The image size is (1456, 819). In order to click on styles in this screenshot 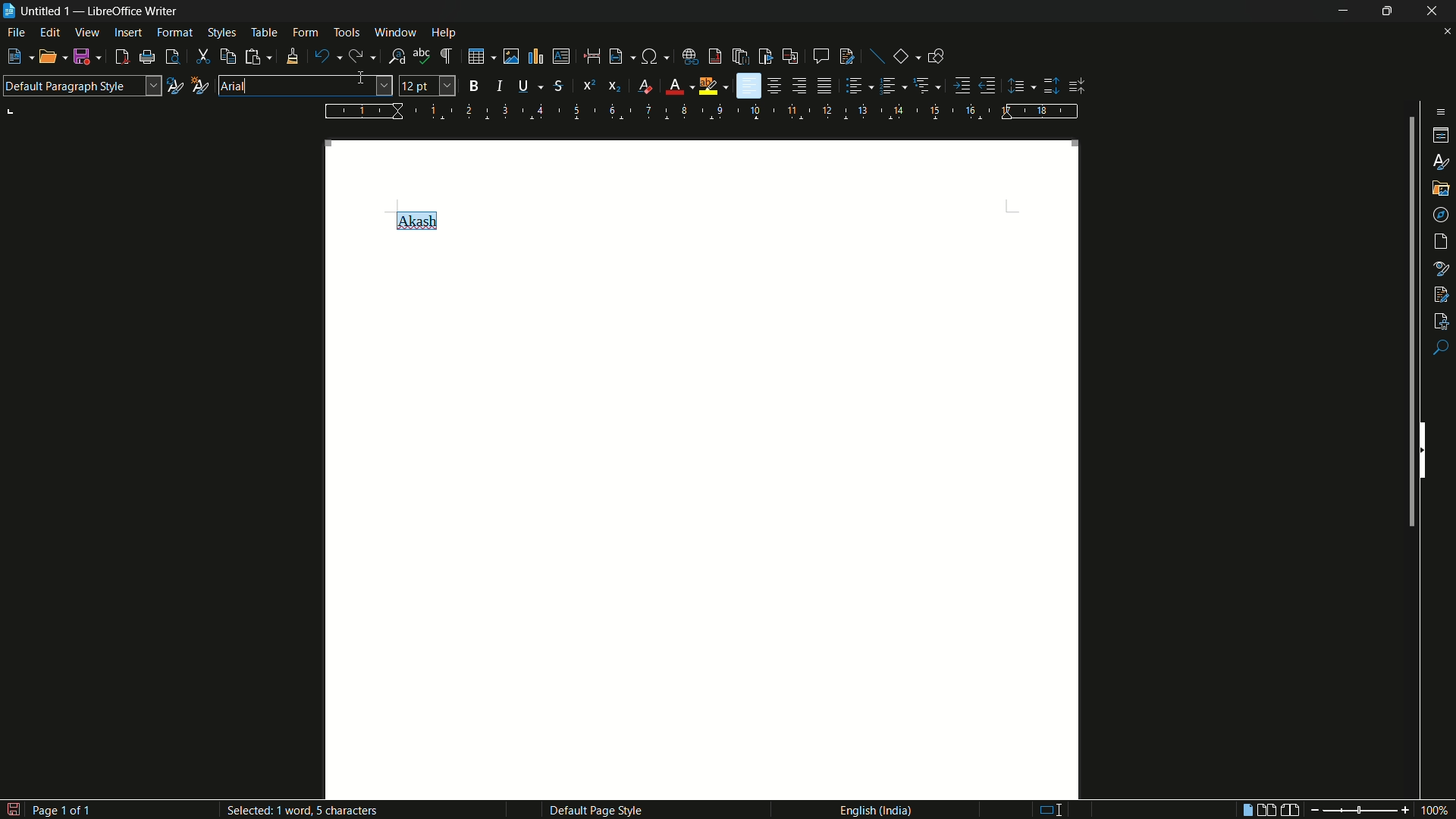, I will do `click(1442, 161)`.